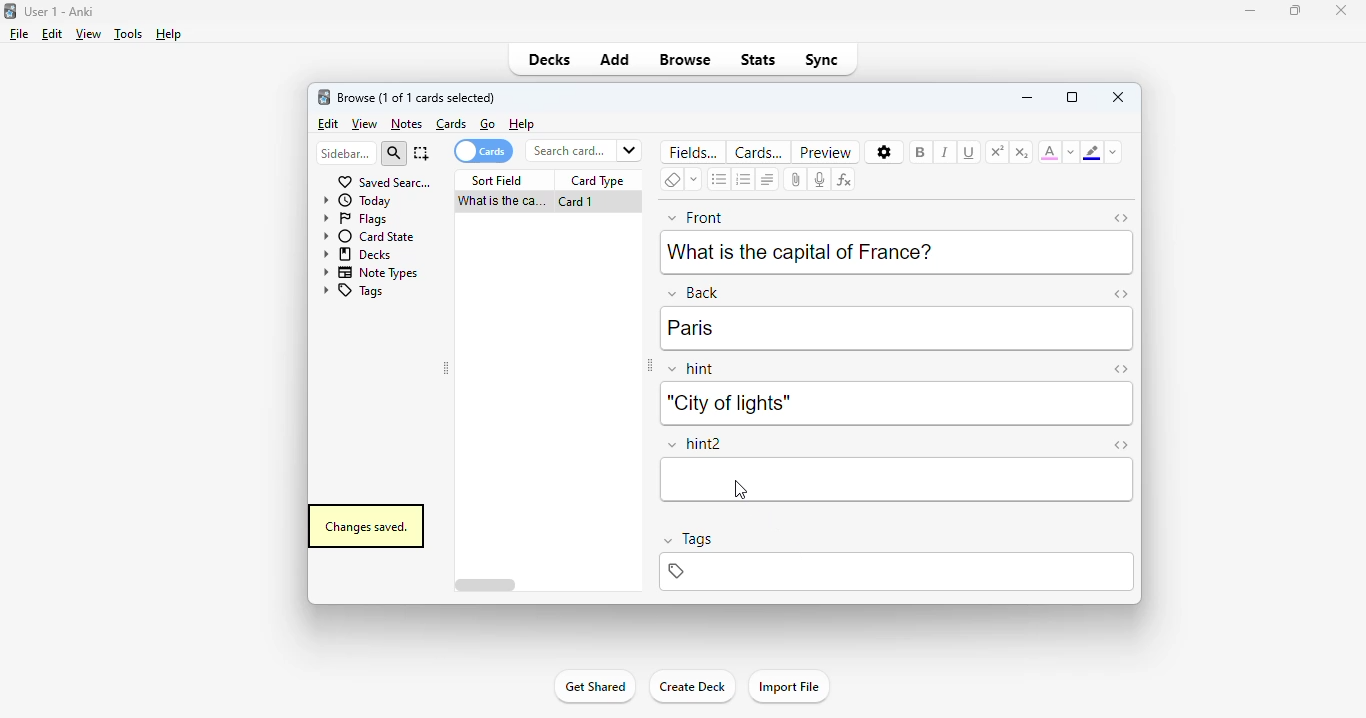 The image size is (1366, 718). What do you see at coordinates (1120, 369) in the screenshot?
I see `toggle HTML editor` at bounding box center [1120, 369].